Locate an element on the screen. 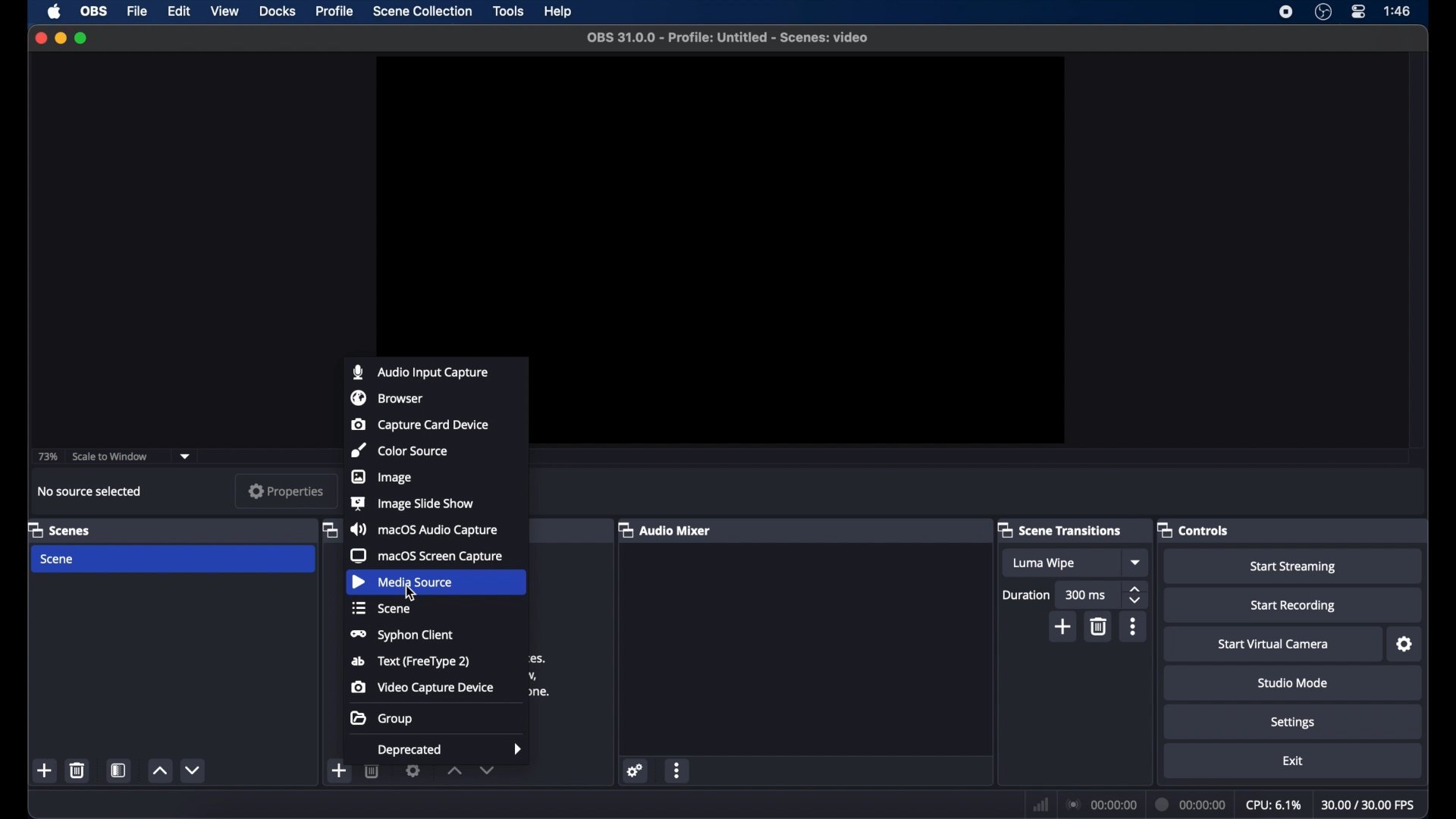 The image size is (1456, 819). maximize is located at coordinates (82, 38).